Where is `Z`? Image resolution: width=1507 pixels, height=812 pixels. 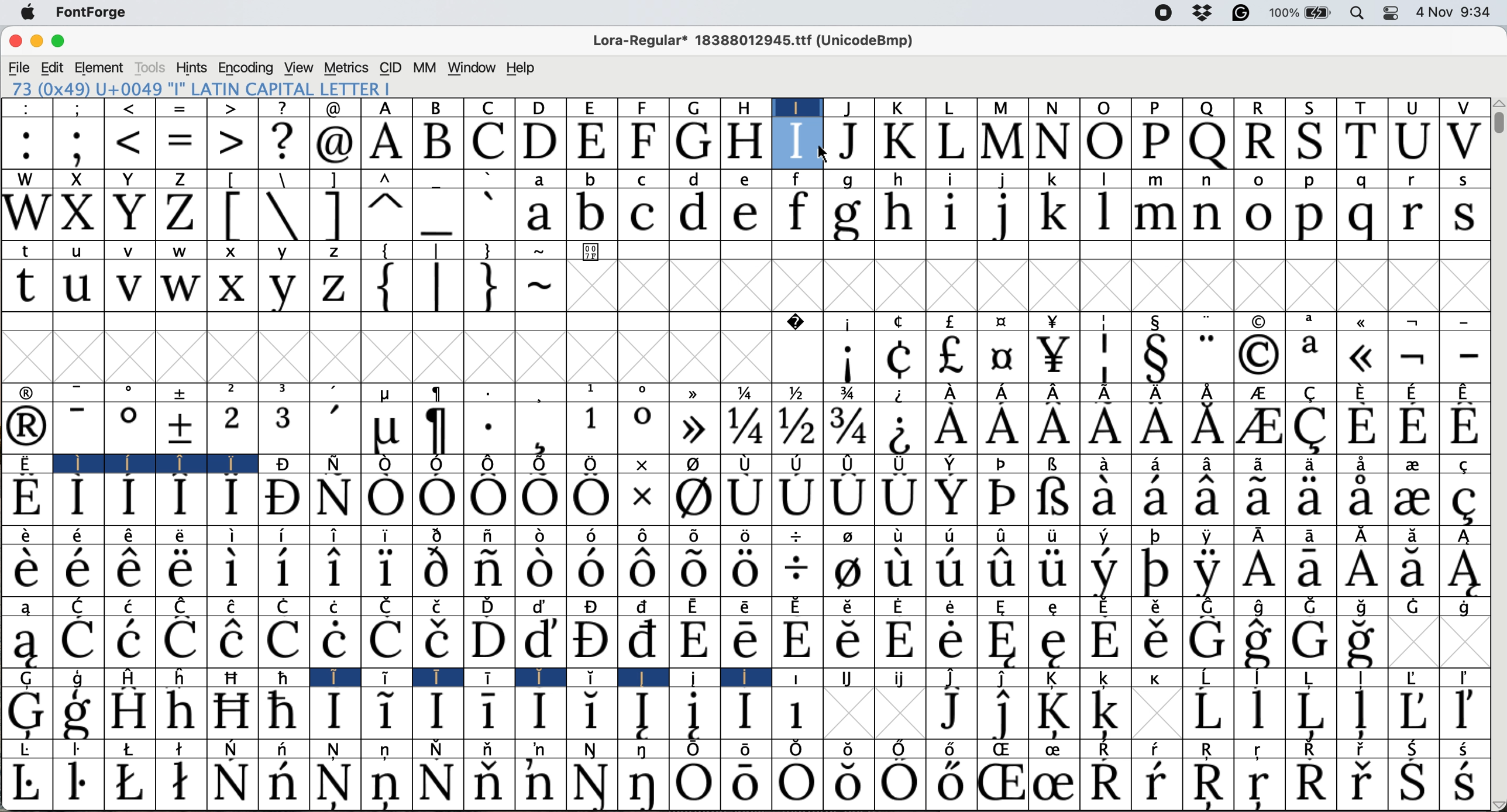
Z is located at coordinates (178, 179).